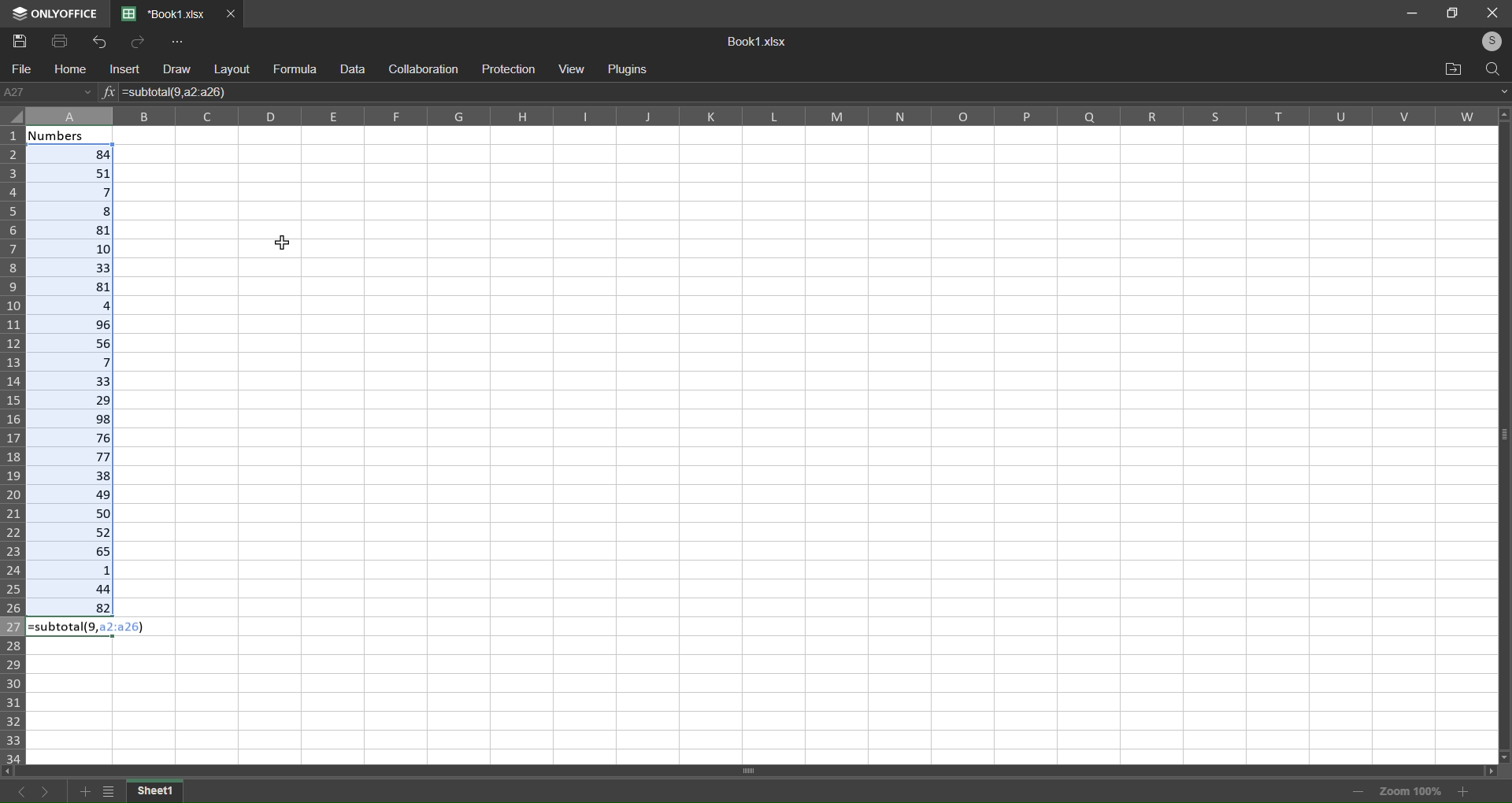  I want to click on Close Tab, so click(232, 13).